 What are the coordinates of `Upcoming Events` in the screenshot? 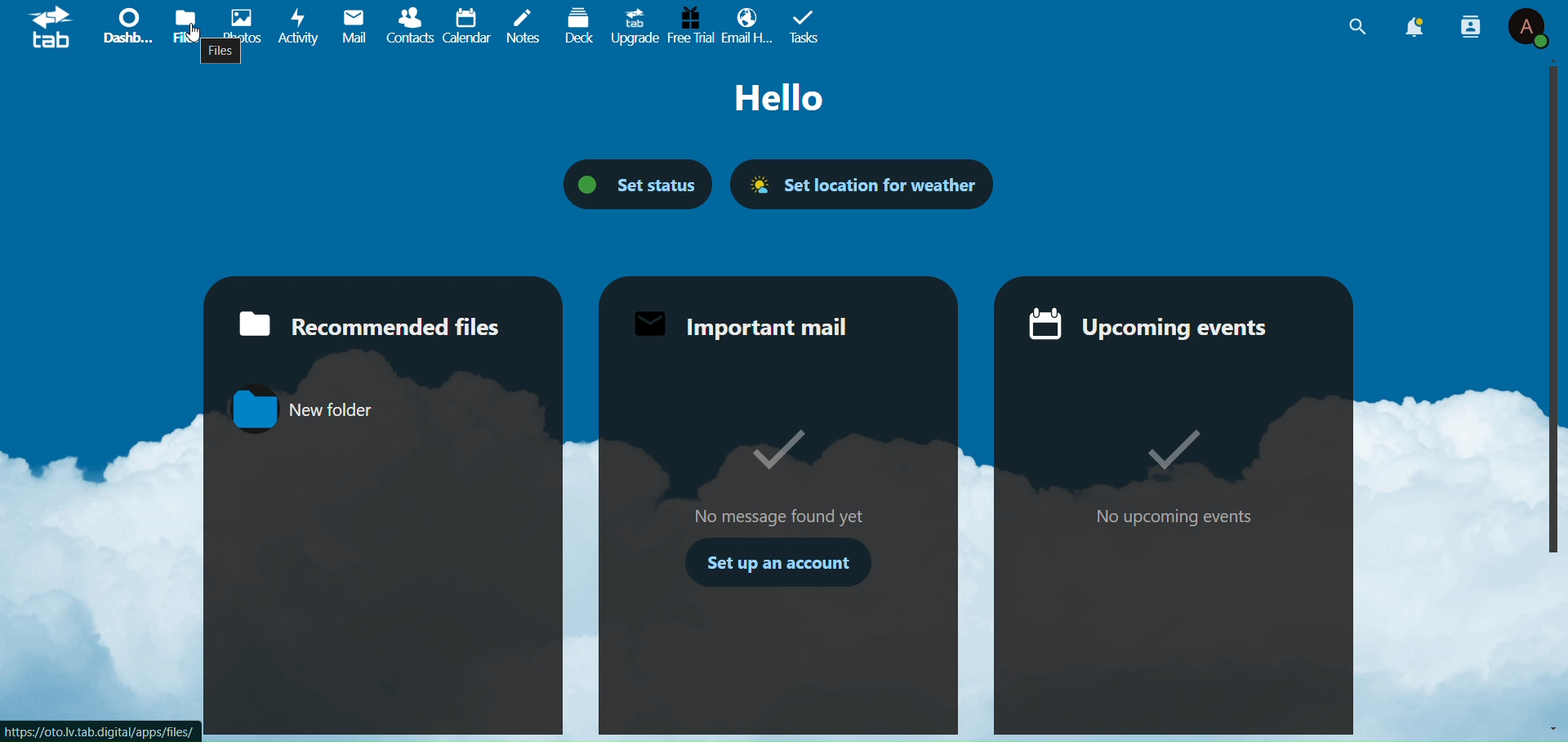 It's located at (1151, 324).